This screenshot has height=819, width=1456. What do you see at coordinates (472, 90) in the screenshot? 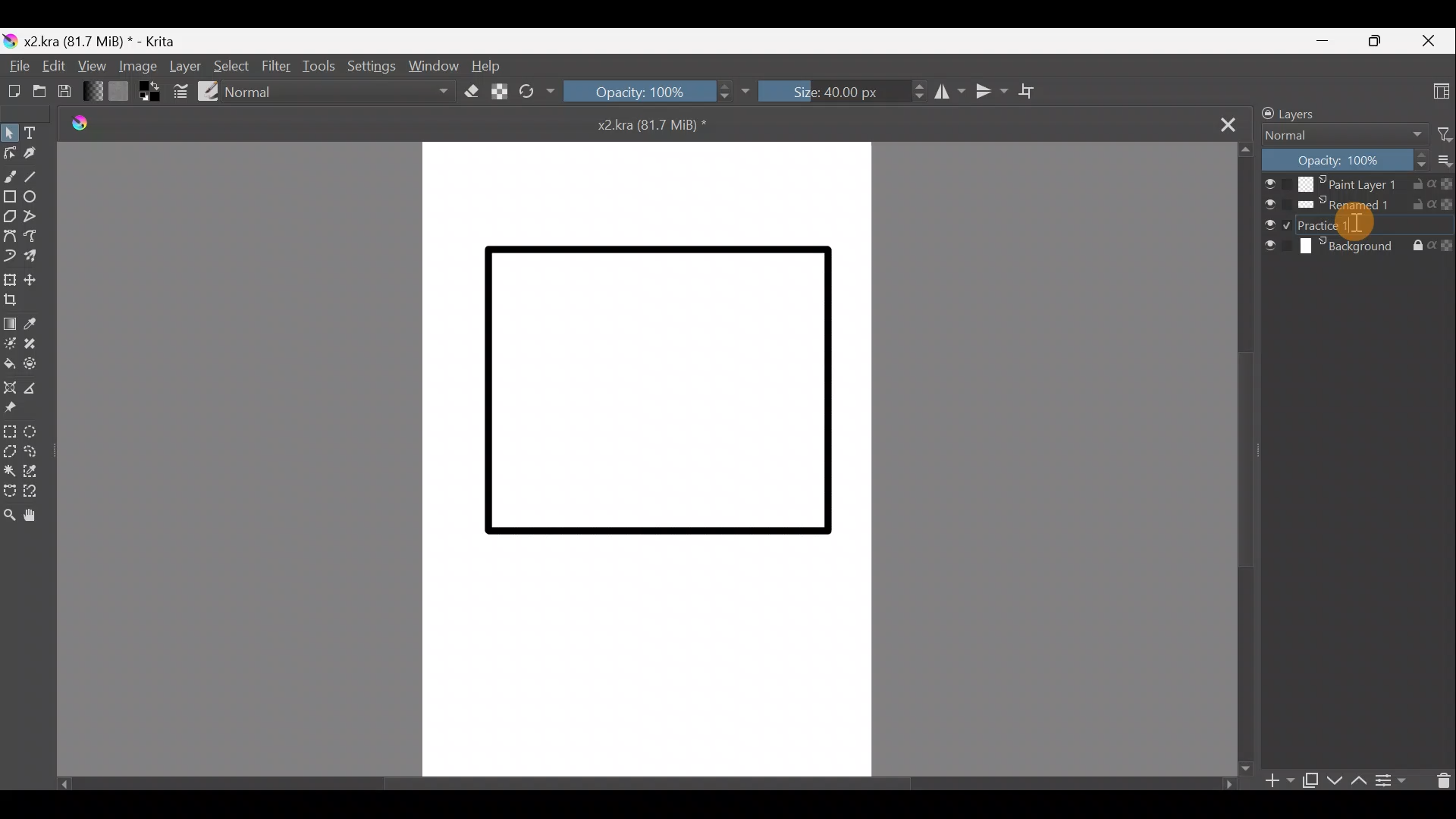
I see `Set eraser mode` at bounding box center [472, 90].